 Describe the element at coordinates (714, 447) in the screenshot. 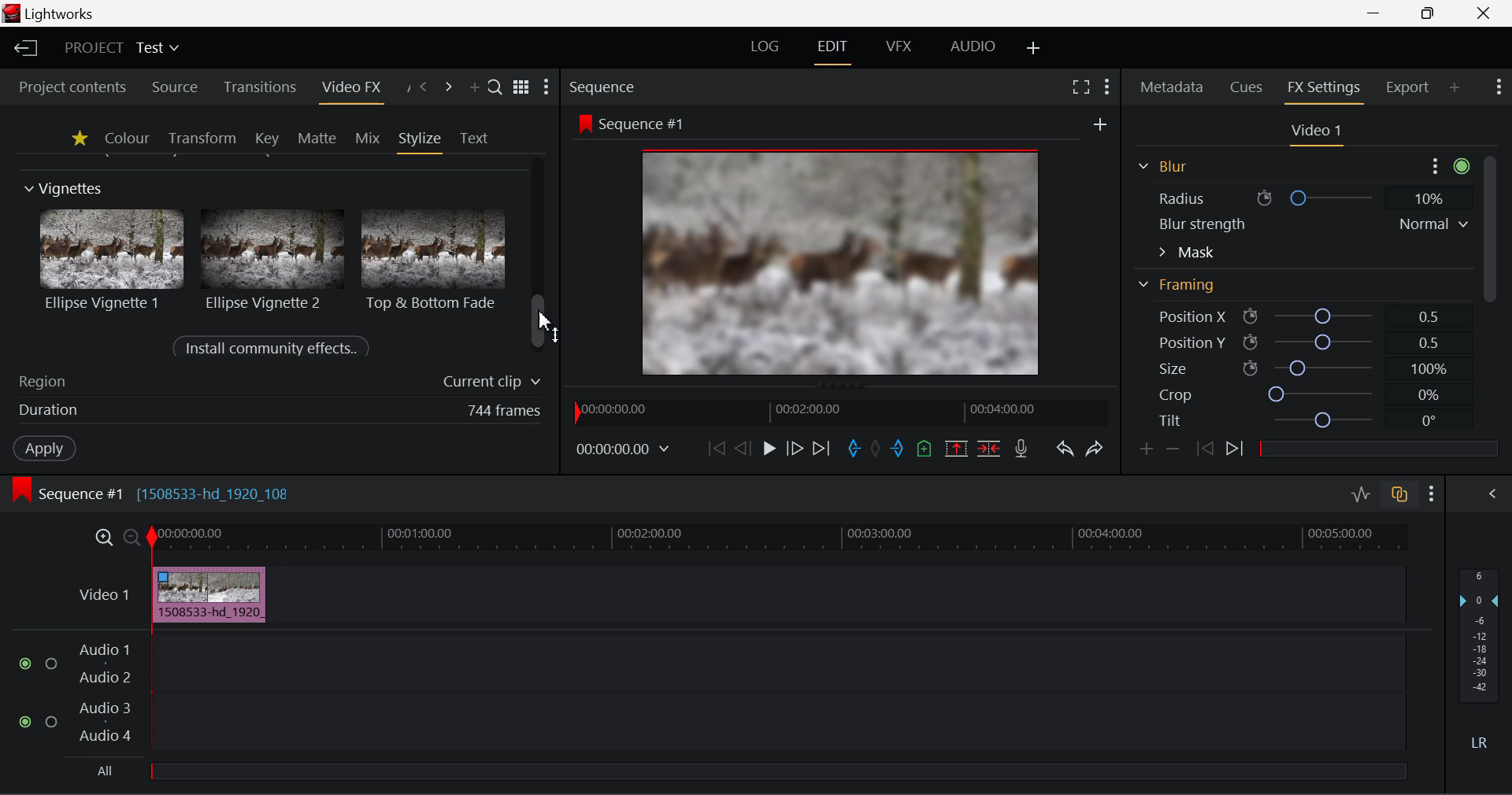

I see `To Start` at that location.